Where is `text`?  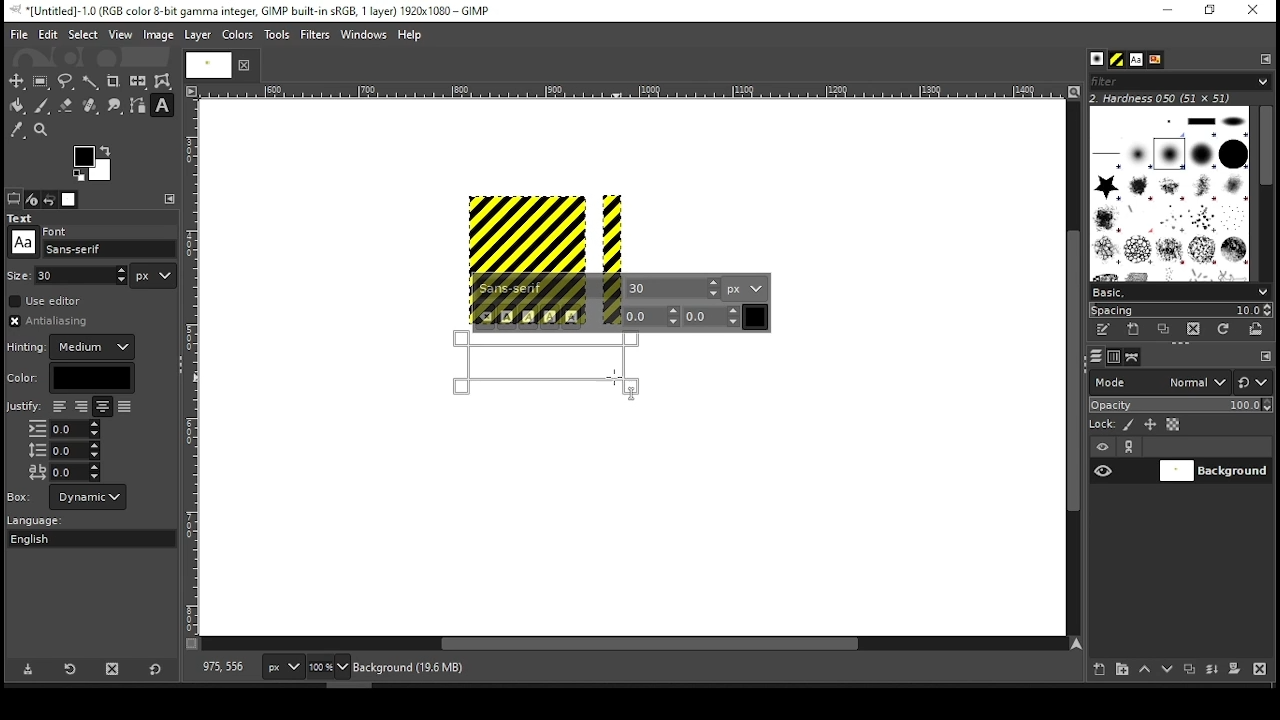
text is located at coordinates (23, 218).